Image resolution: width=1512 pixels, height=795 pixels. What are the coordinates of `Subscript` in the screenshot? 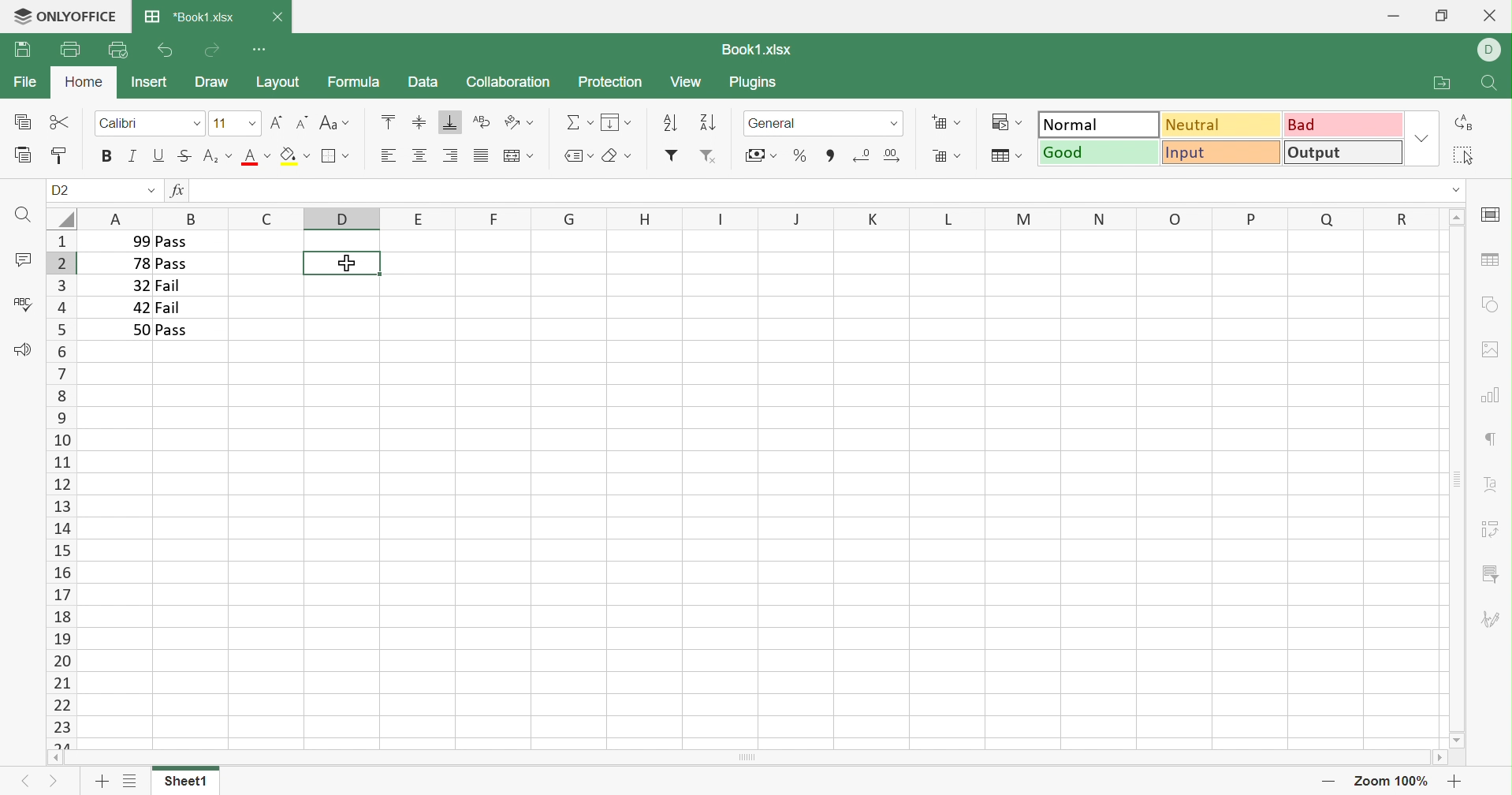 It's located at (217, 159).